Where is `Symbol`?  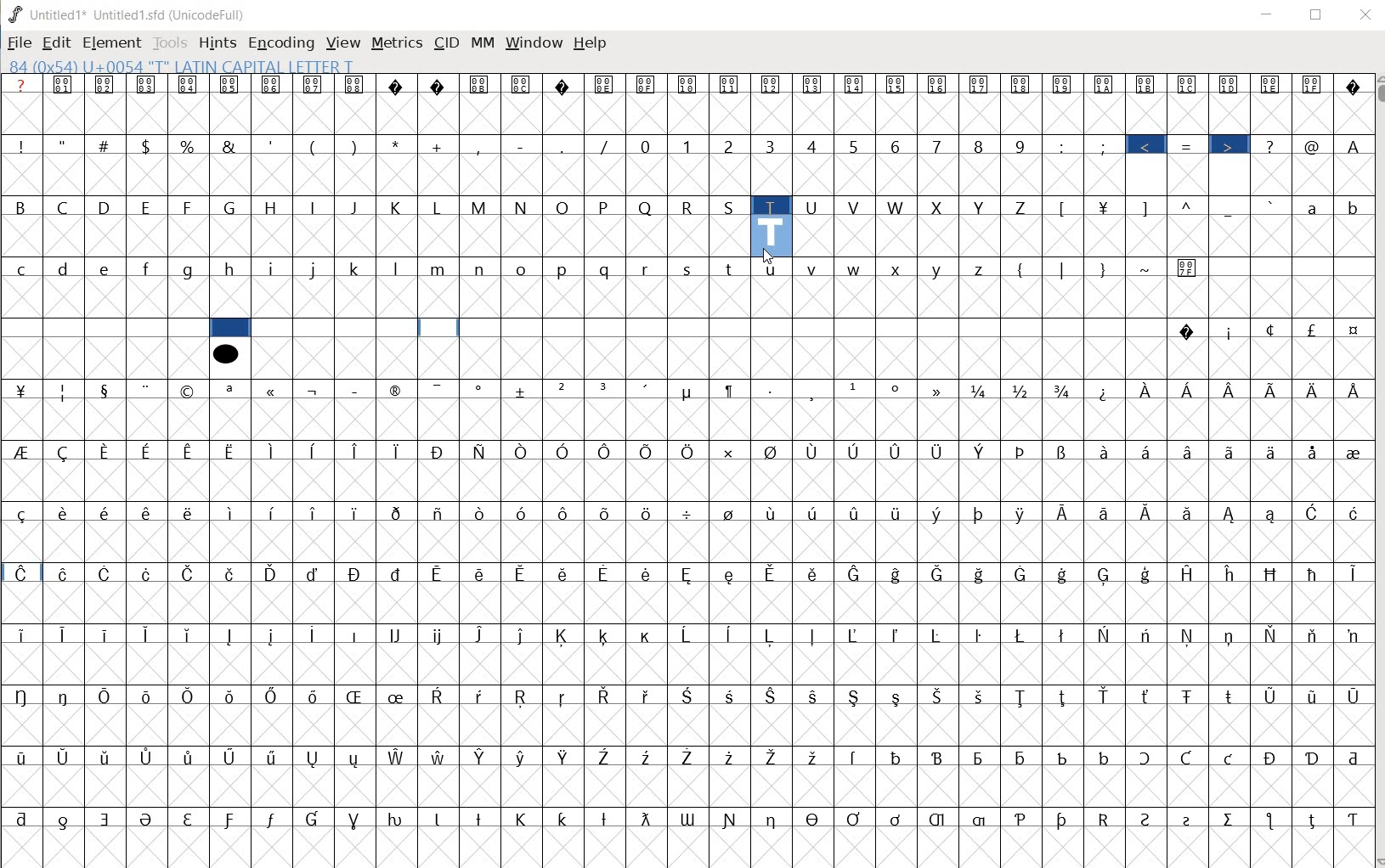 Symbol is located at coordinates (1149, 511).